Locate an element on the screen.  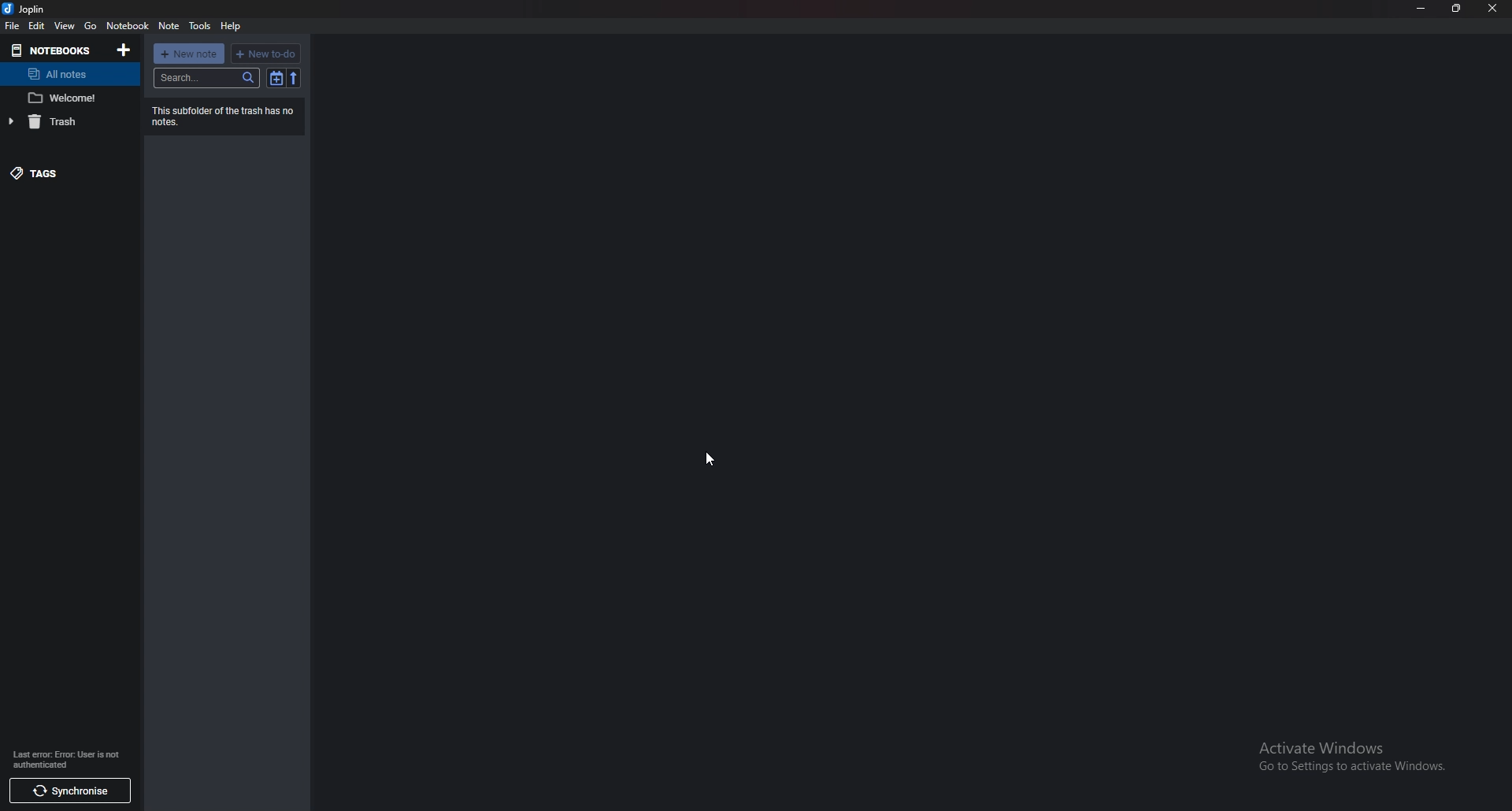
trash is located at coordinates (59, 121).